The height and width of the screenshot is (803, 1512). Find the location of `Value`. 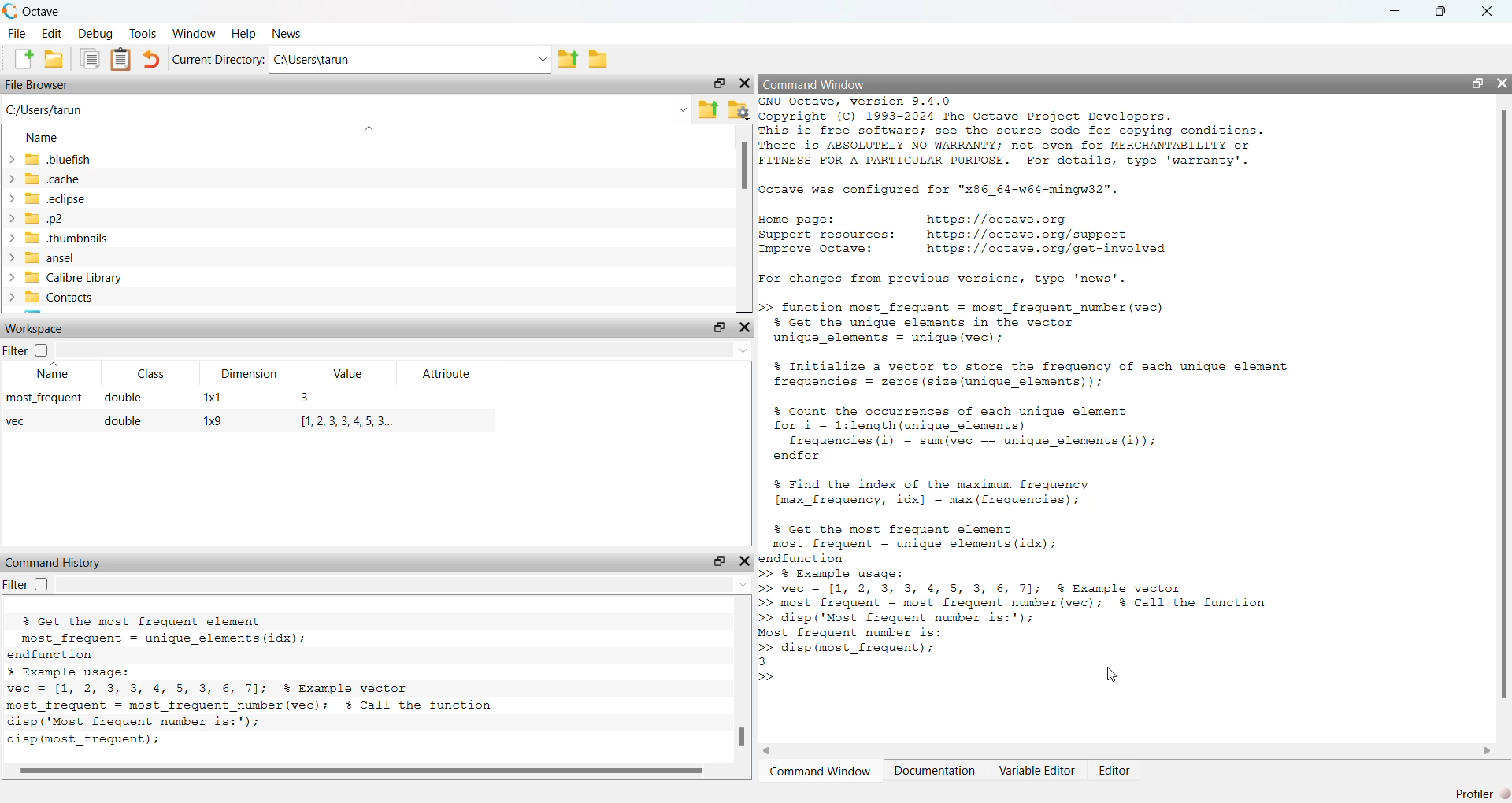

Value is located at coordinates (347, 373).